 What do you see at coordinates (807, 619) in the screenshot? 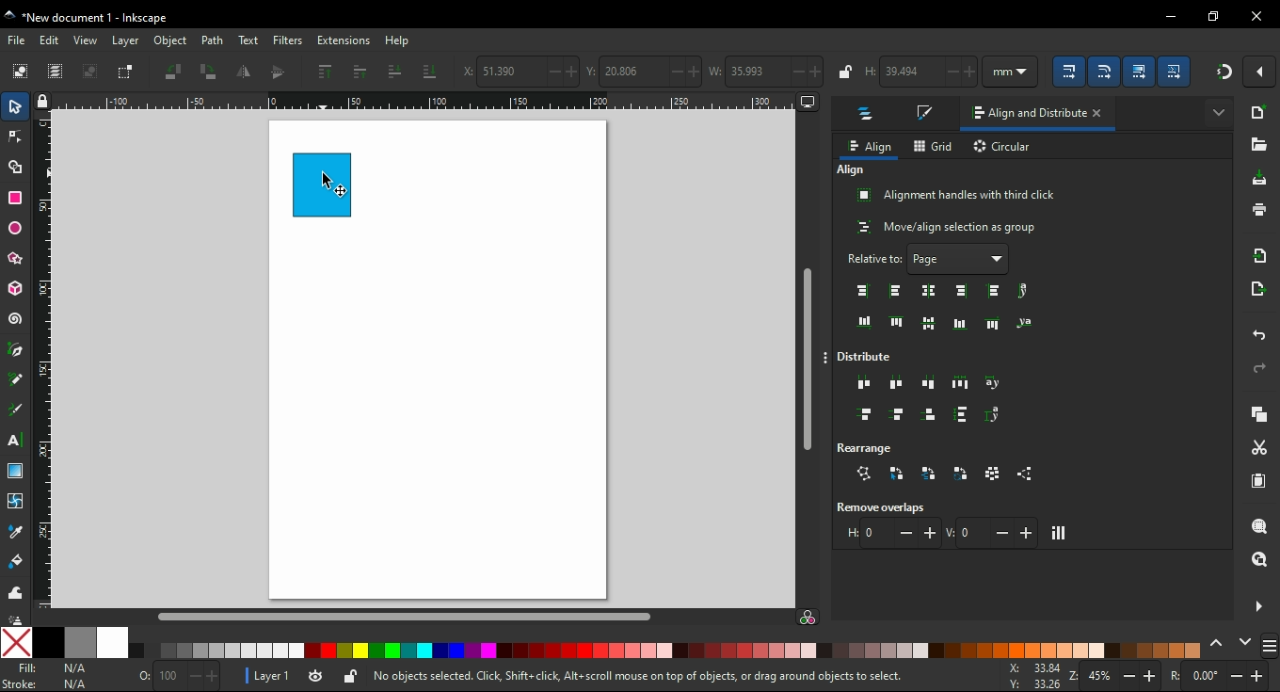
I see `color managed mode` at bounding box center [807, 619].